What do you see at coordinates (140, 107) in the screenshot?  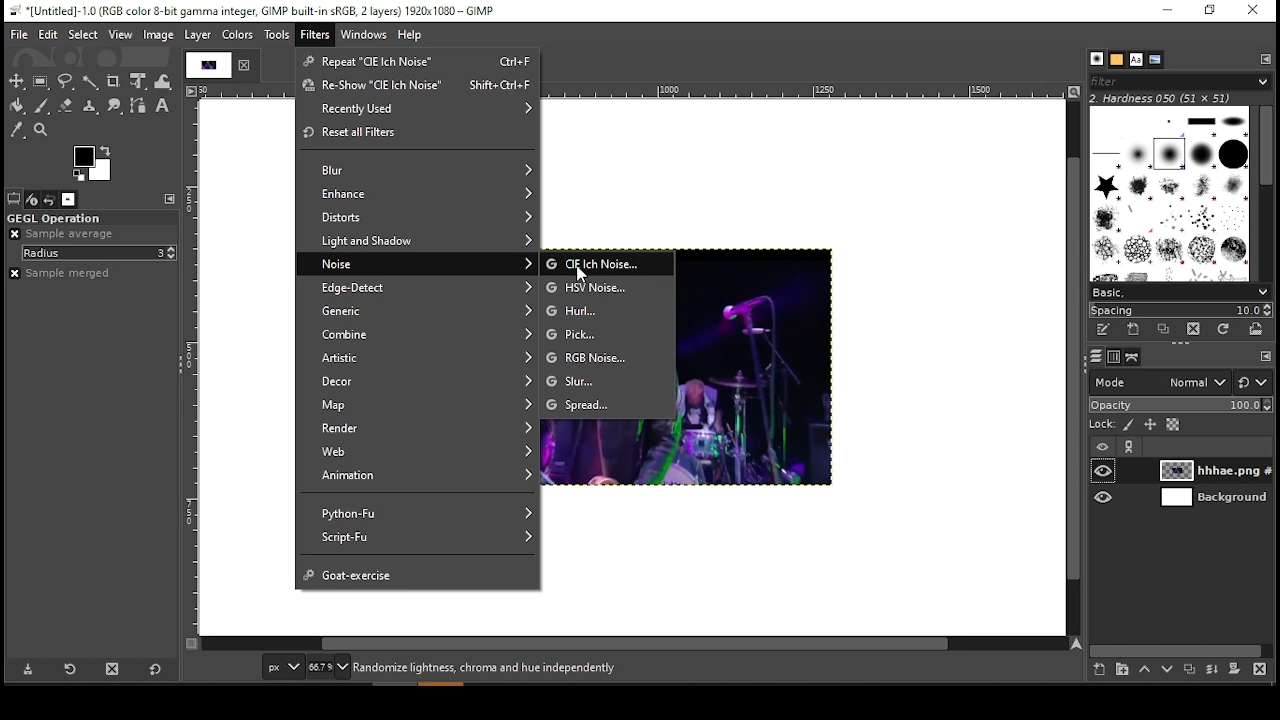 I see `paths tool` at bounding box center [140, 107].